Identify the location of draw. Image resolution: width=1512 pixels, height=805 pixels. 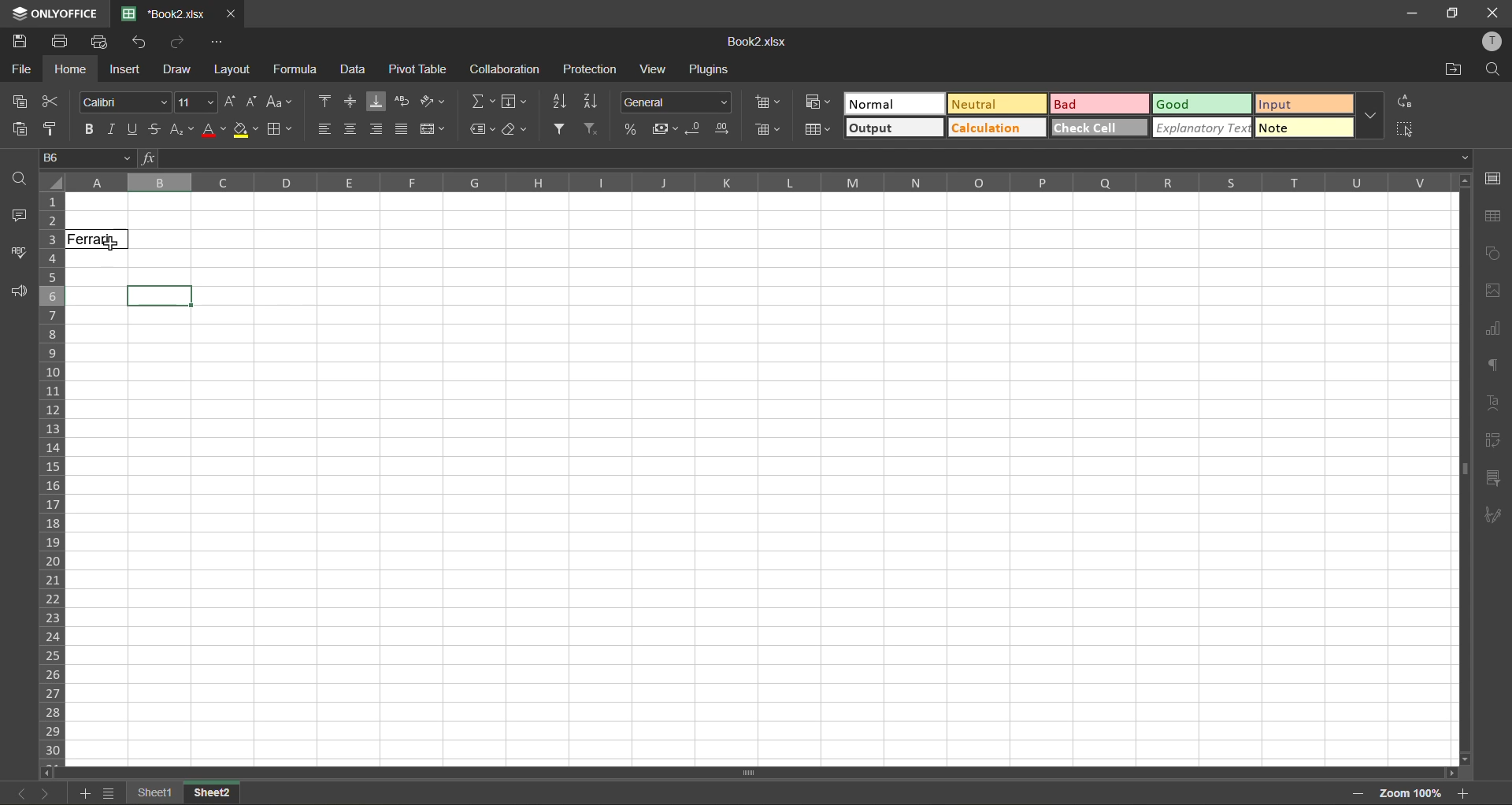
(176, 69).